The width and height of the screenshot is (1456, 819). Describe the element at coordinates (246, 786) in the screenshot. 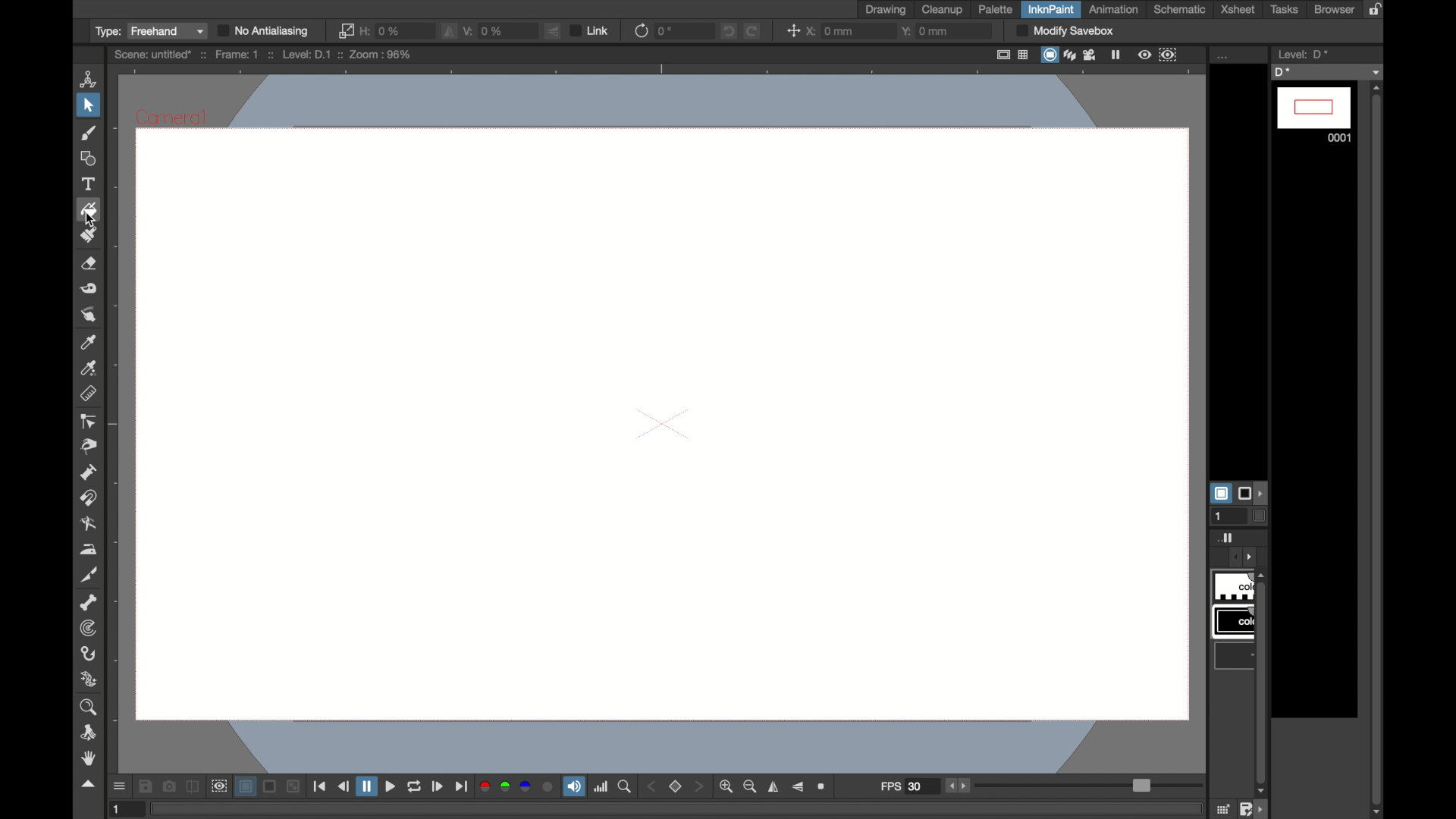

I see `layer` at that location.